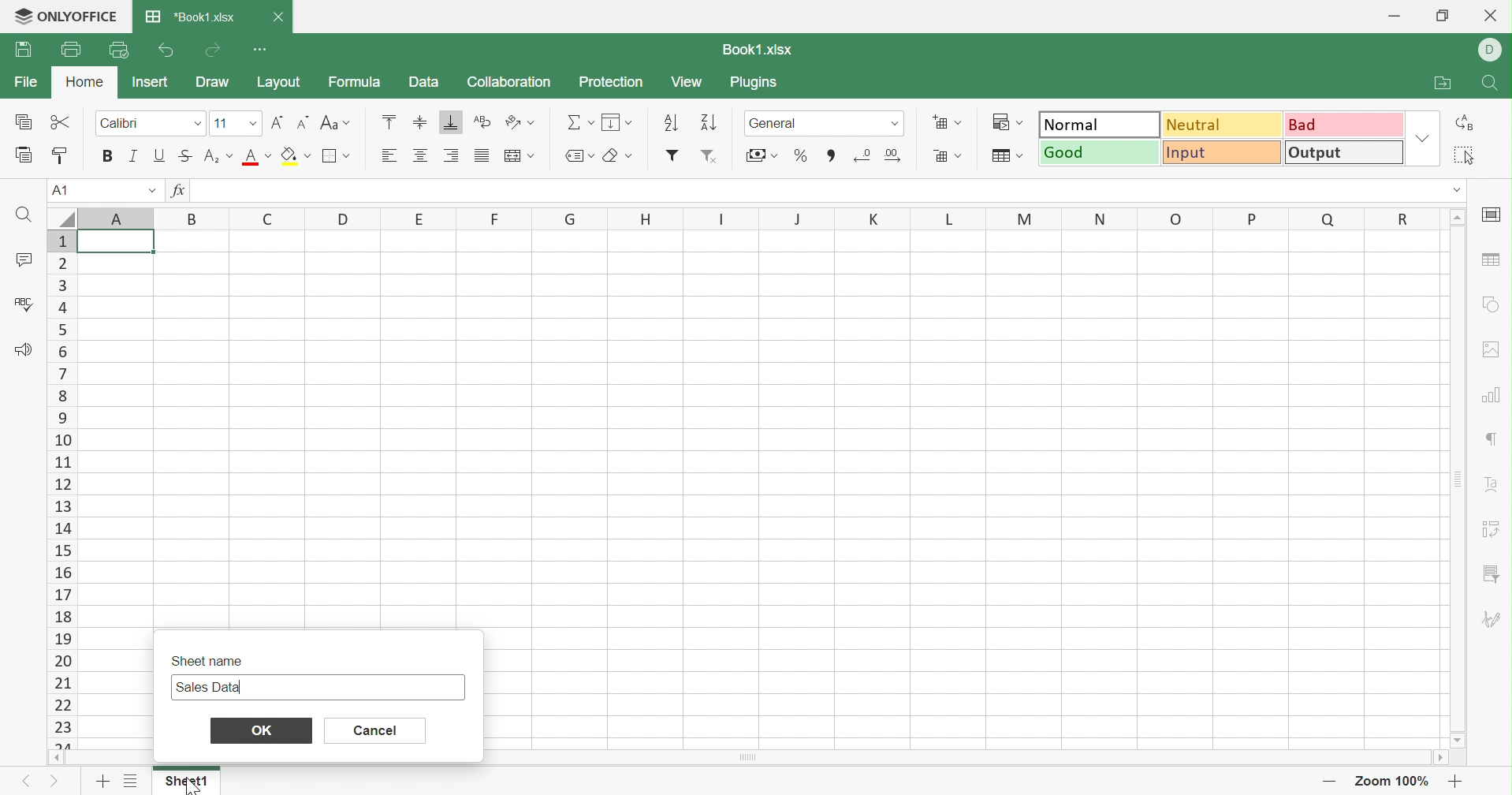 This screenshot has width=1512, height=795. I want to click on Plugins, so click(758, 84).